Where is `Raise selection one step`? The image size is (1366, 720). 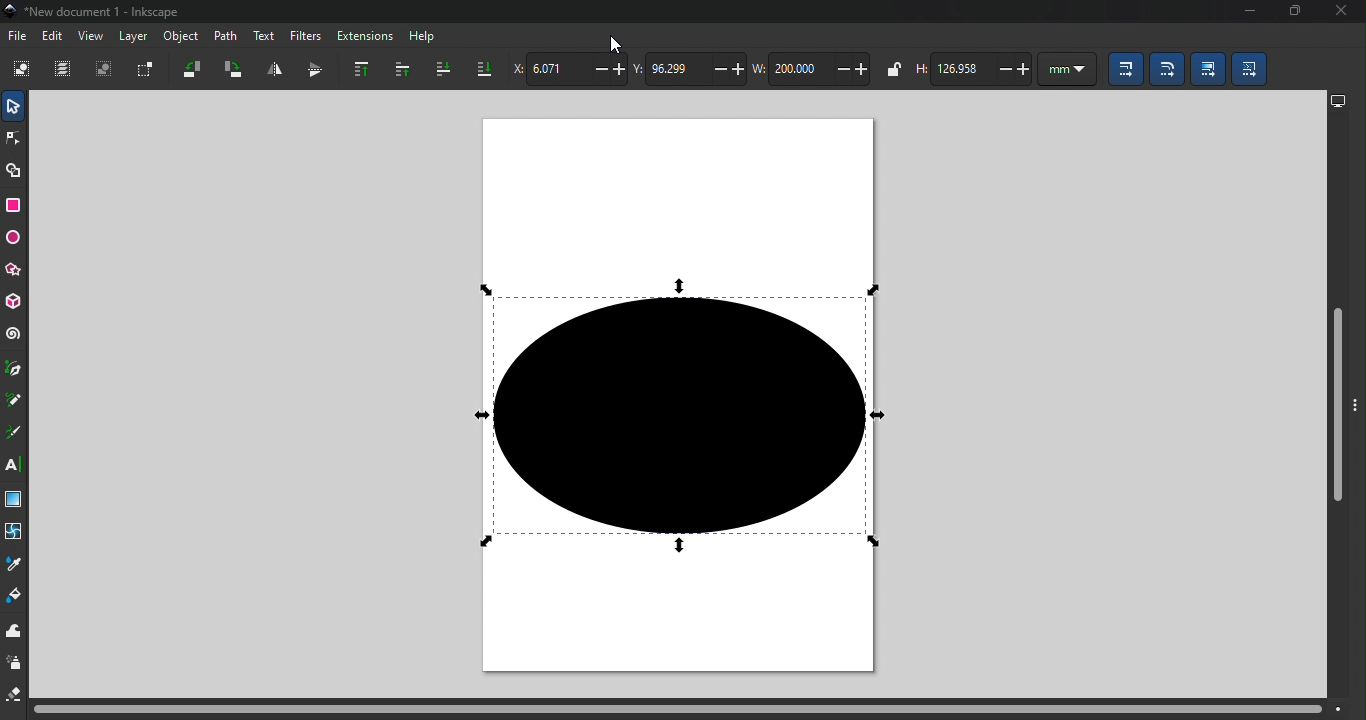
Raise selection one step is located at coordinates (402, 72).